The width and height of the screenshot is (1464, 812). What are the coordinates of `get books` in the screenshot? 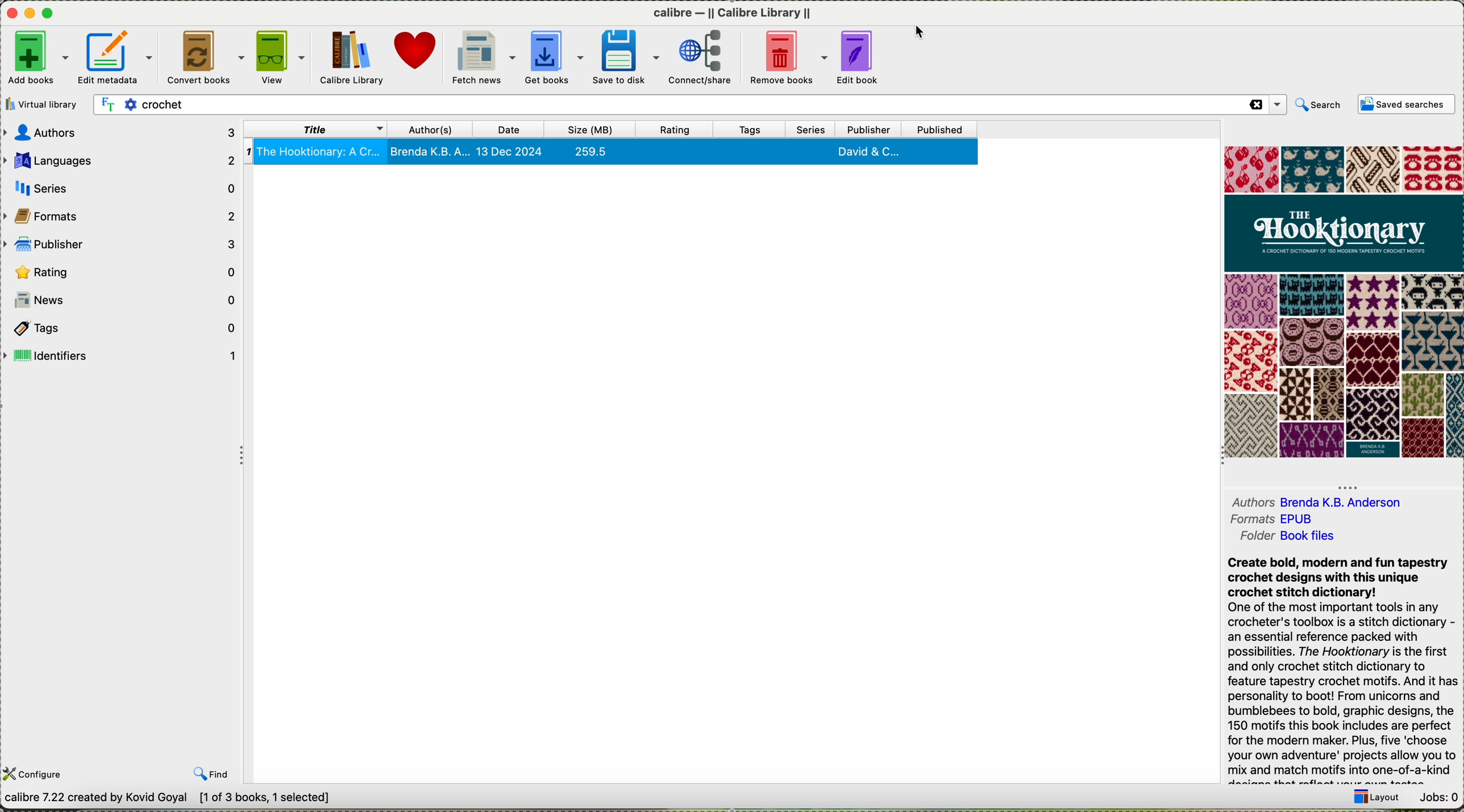 It's located at (554, 55).